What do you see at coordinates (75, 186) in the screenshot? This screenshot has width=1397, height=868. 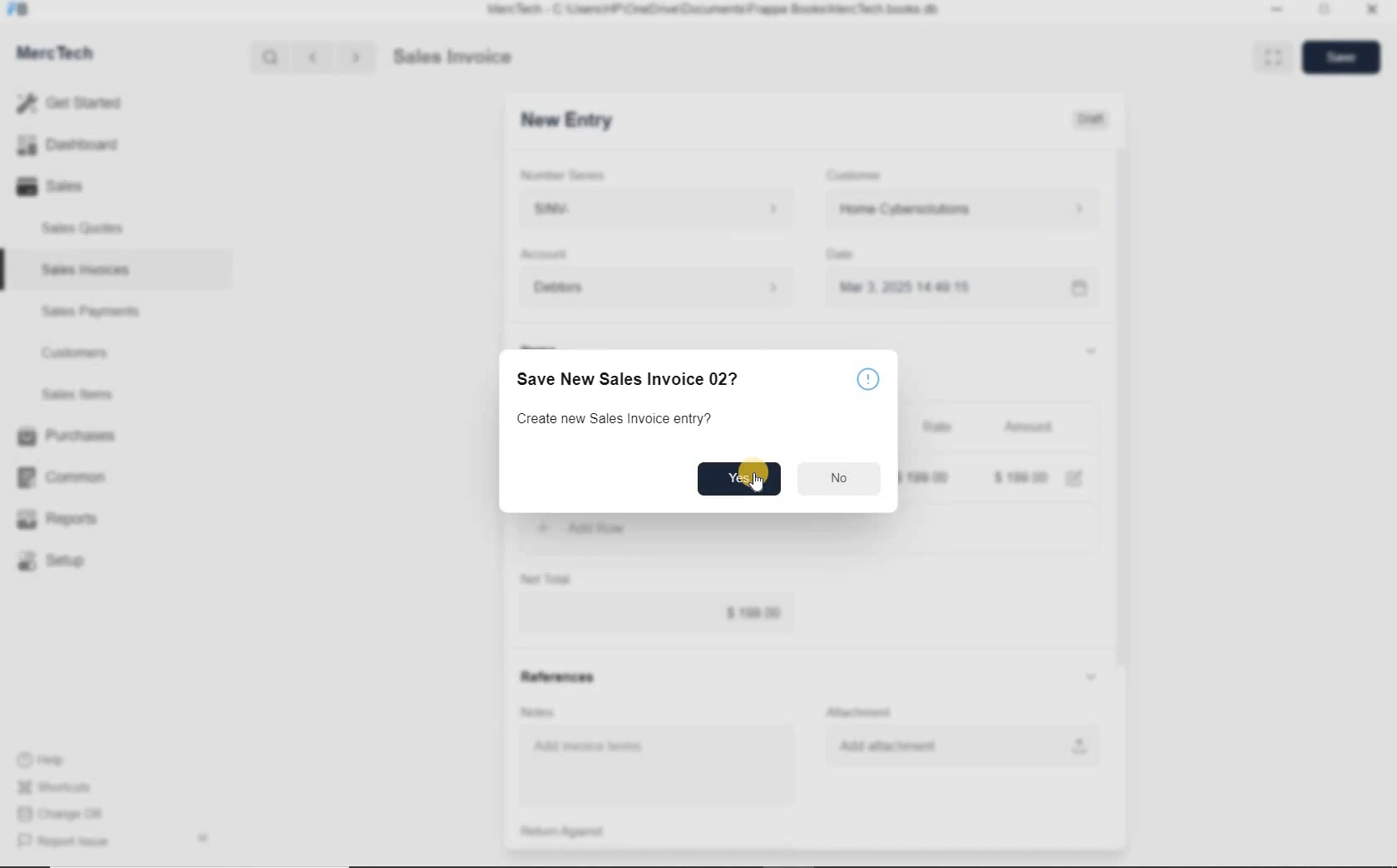 I see `Sales` at bounding box center [75, 186].